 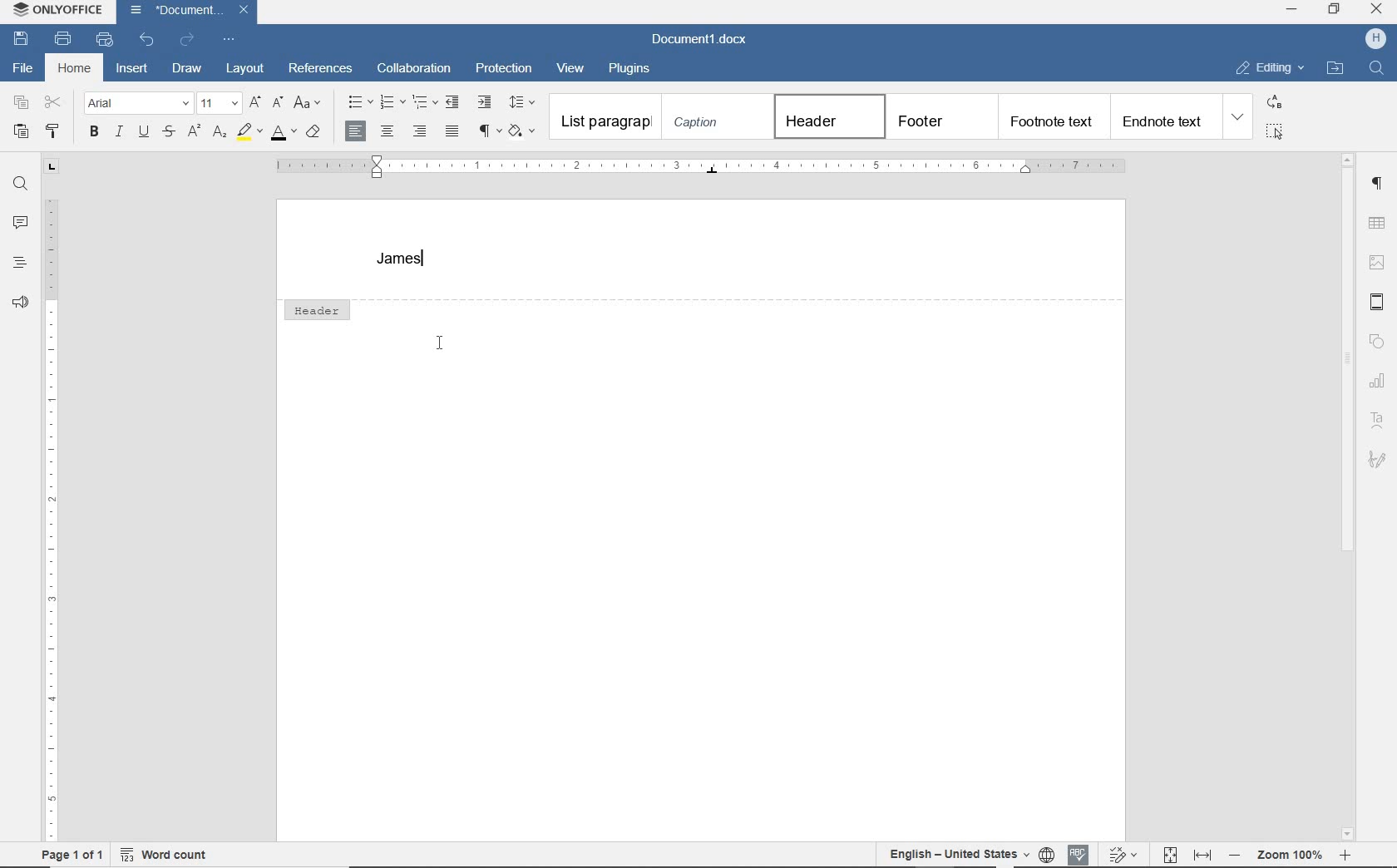 What do you see at coordinates (504, 68) in the screenshot?
I see `protection` at bounding box center [504, 68].